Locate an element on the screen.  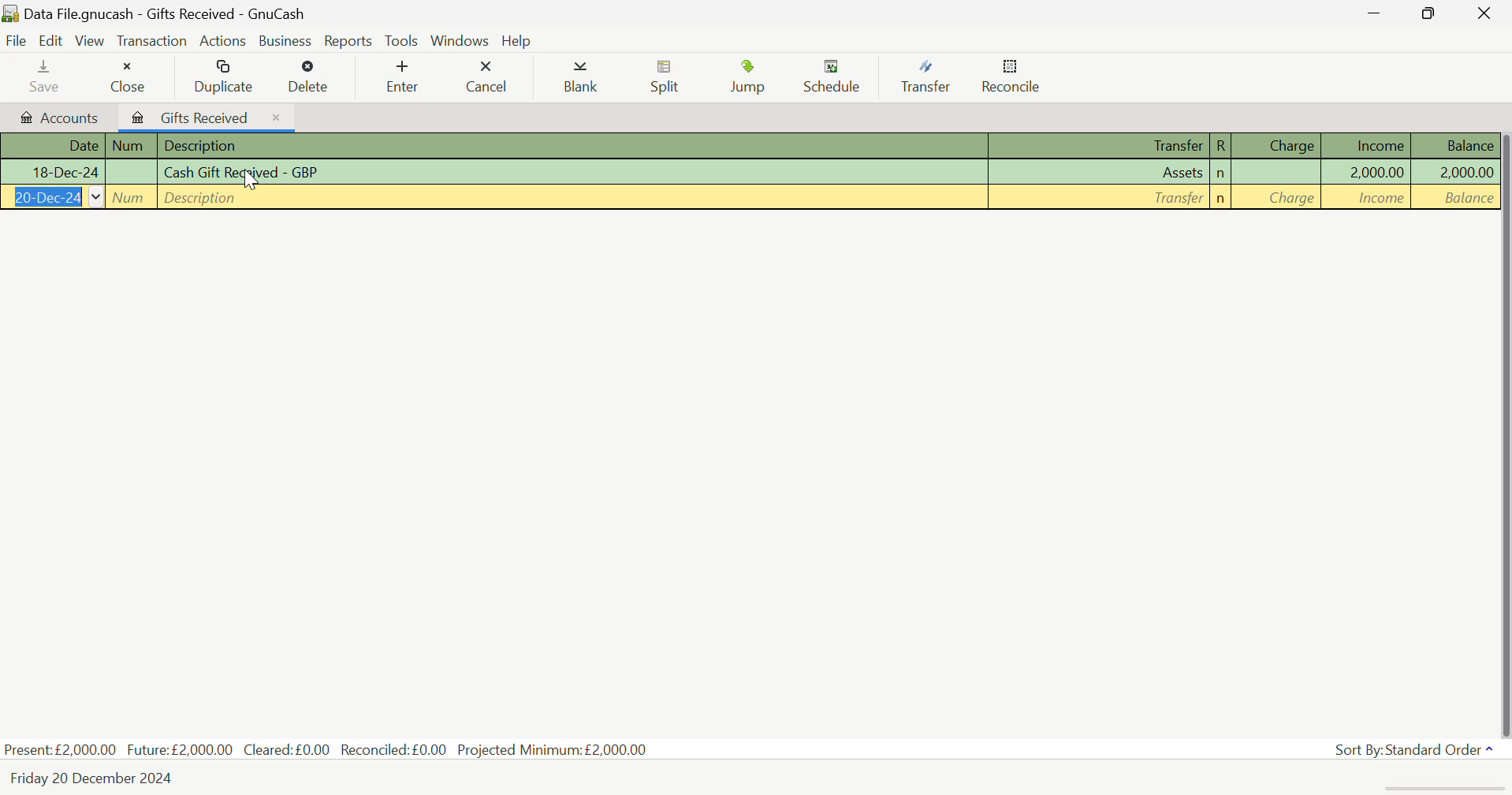
Charge is located at coordinates (1279, 198).